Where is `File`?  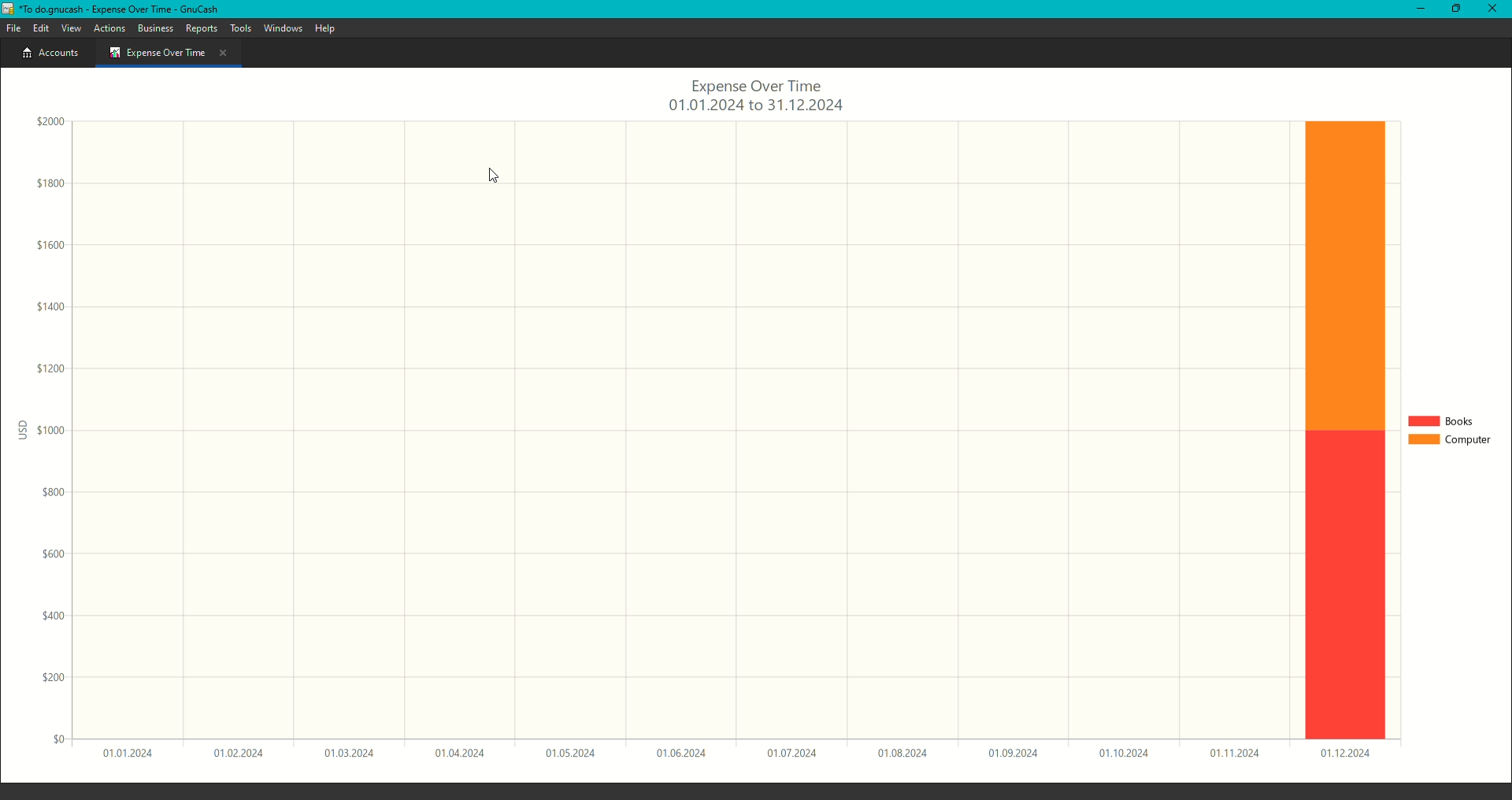 File is located at coordinates (14, 28).